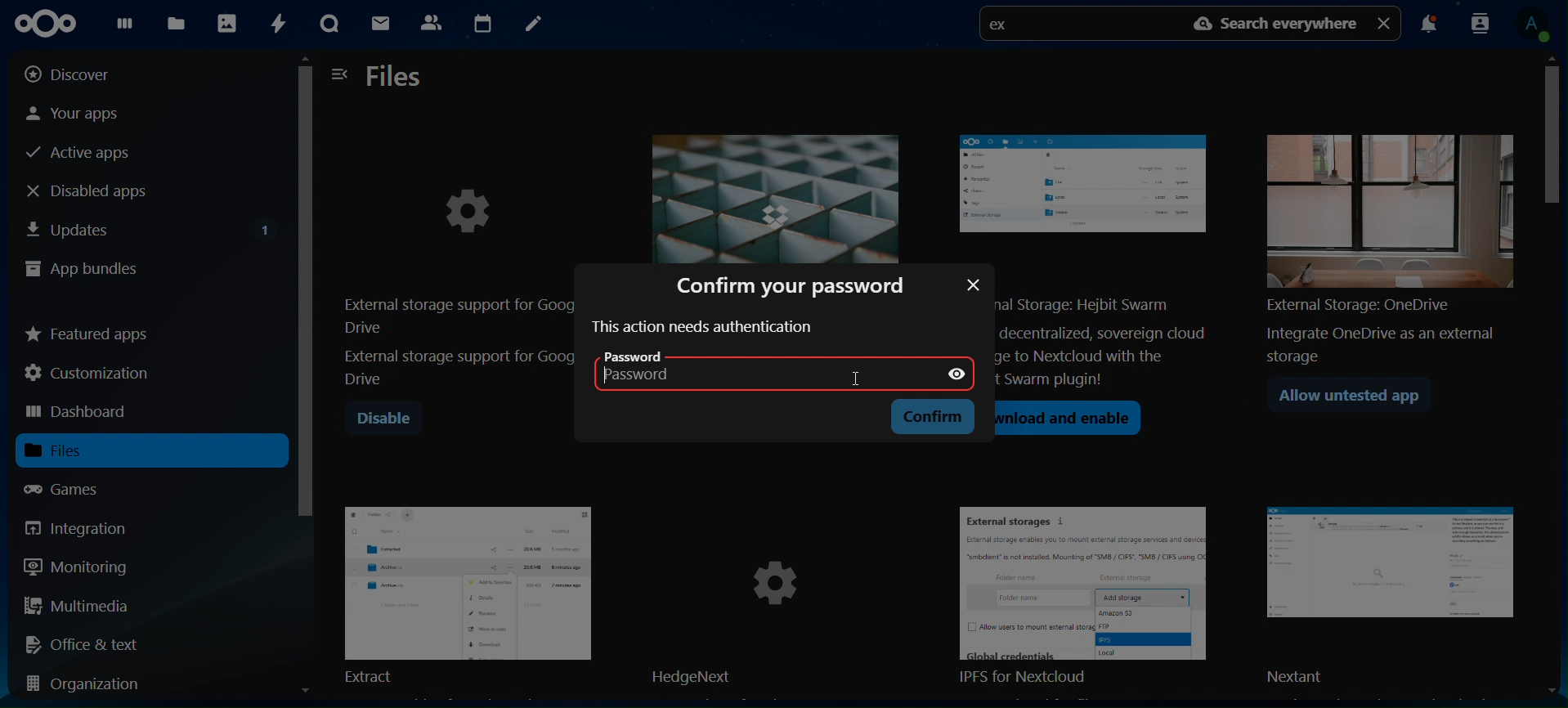  Describe the element at coordinates (956, 374) in the screenshot. I see `show password` at that location.